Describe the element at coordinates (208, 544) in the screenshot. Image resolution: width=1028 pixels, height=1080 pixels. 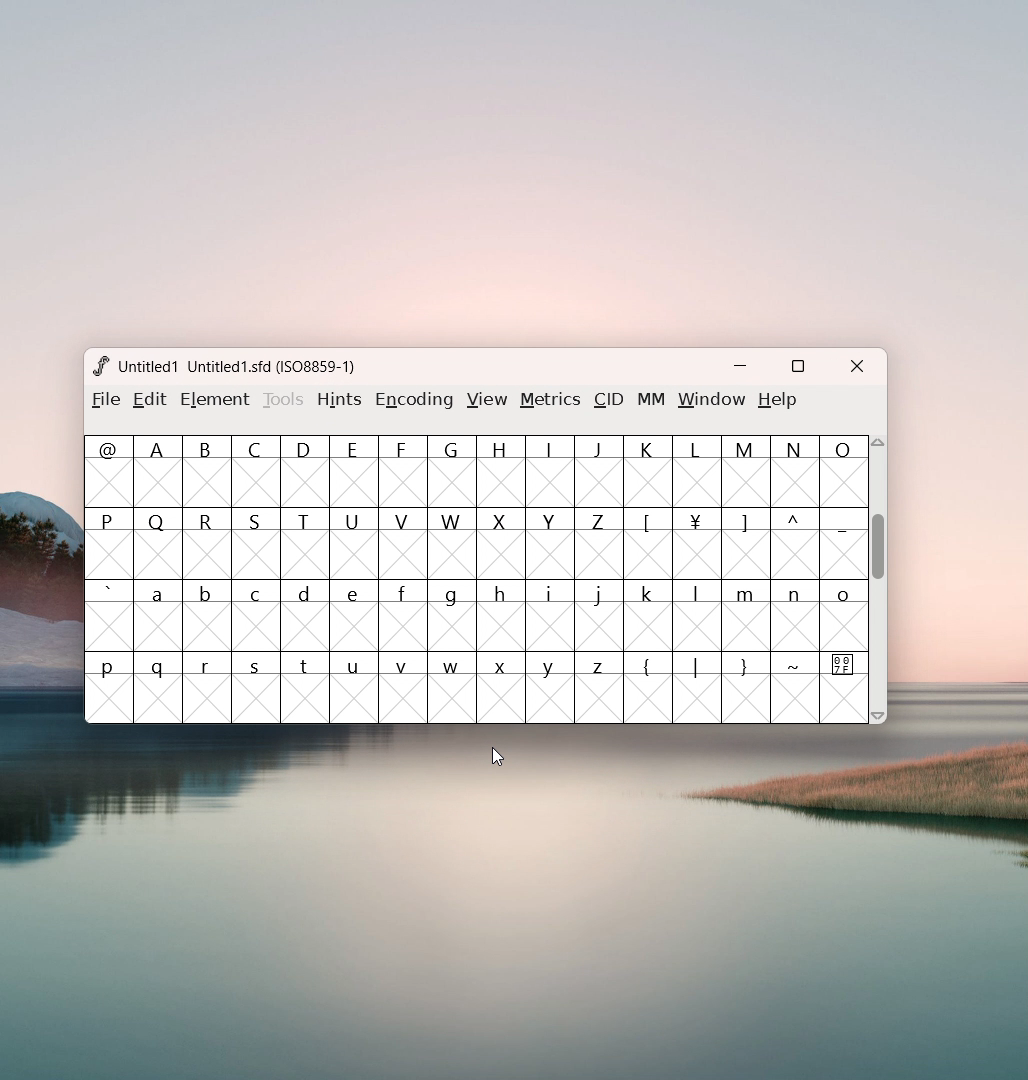
I see `R` at that location.